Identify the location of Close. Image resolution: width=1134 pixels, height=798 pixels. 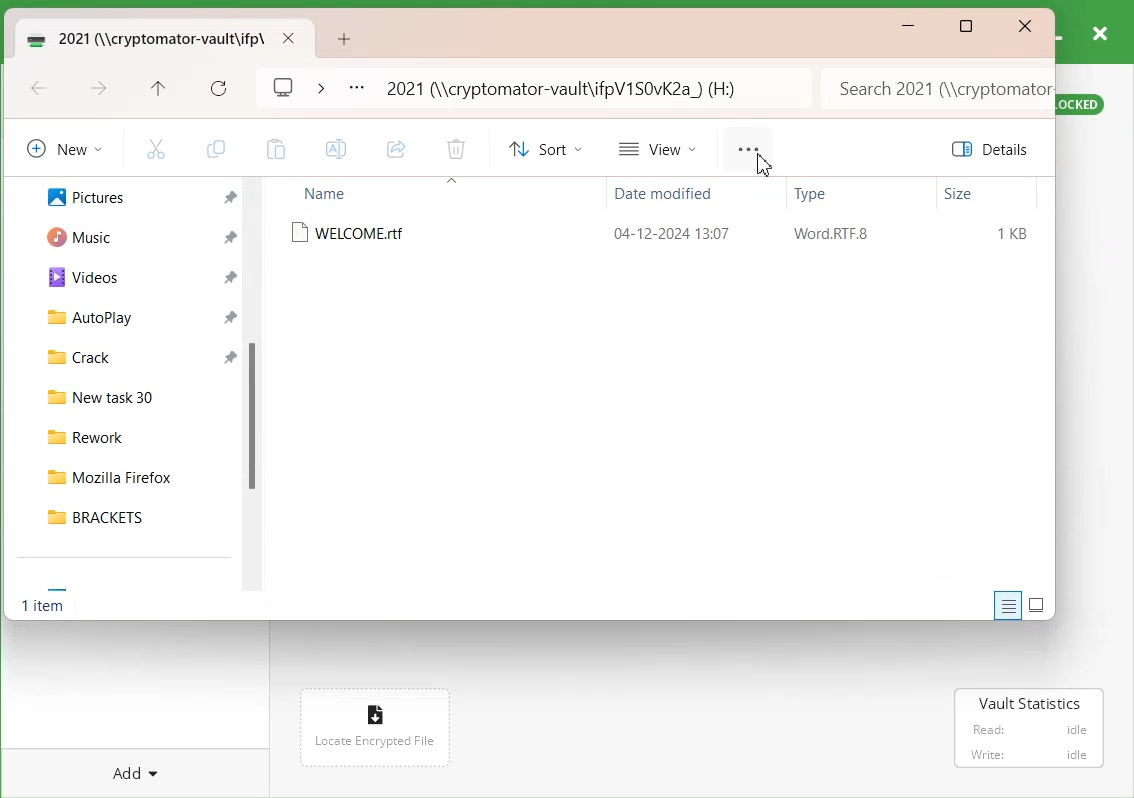
(1025, 27).